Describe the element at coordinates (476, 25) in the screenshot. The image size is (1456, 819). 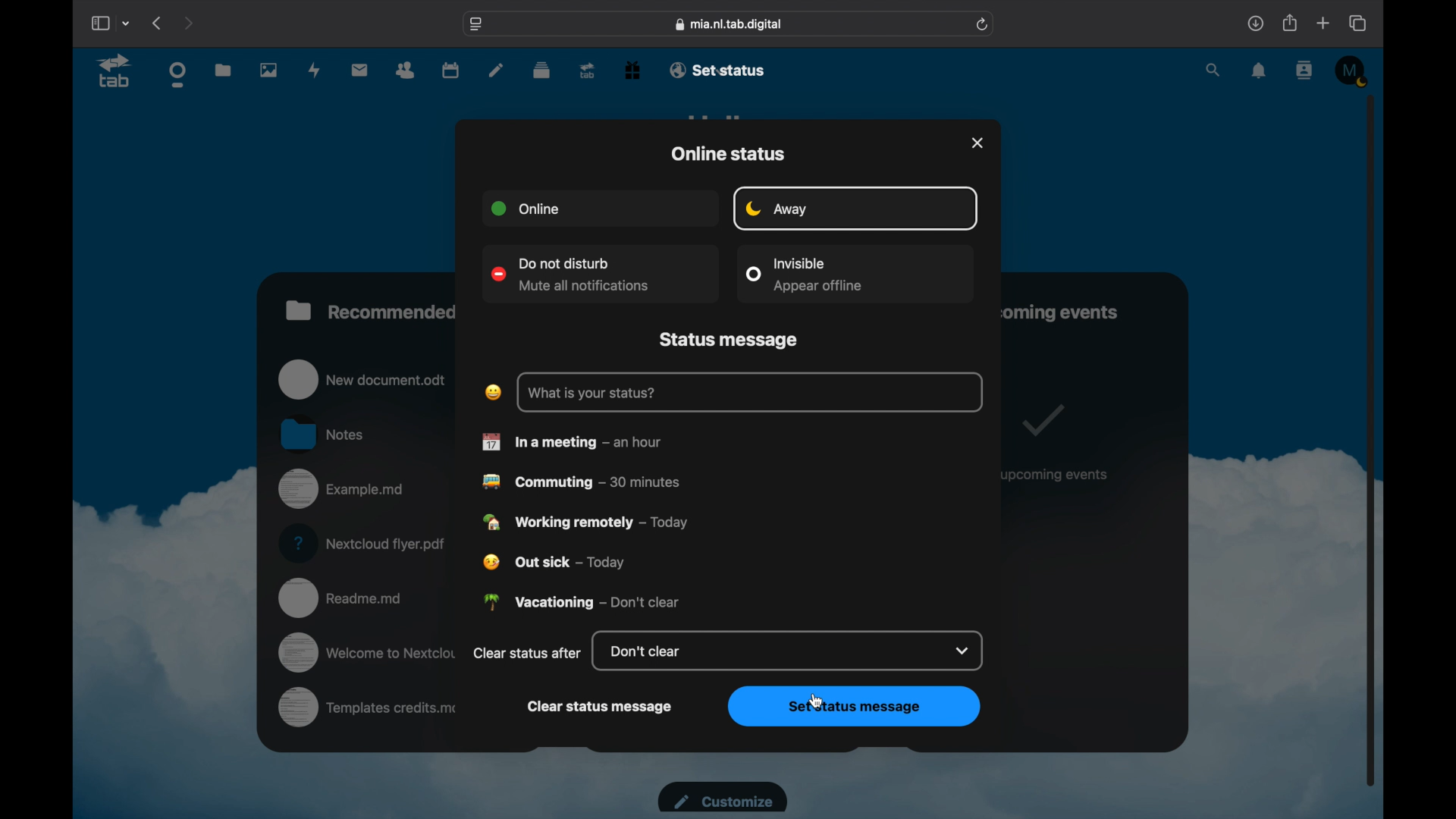
I see `website settings` at that location.